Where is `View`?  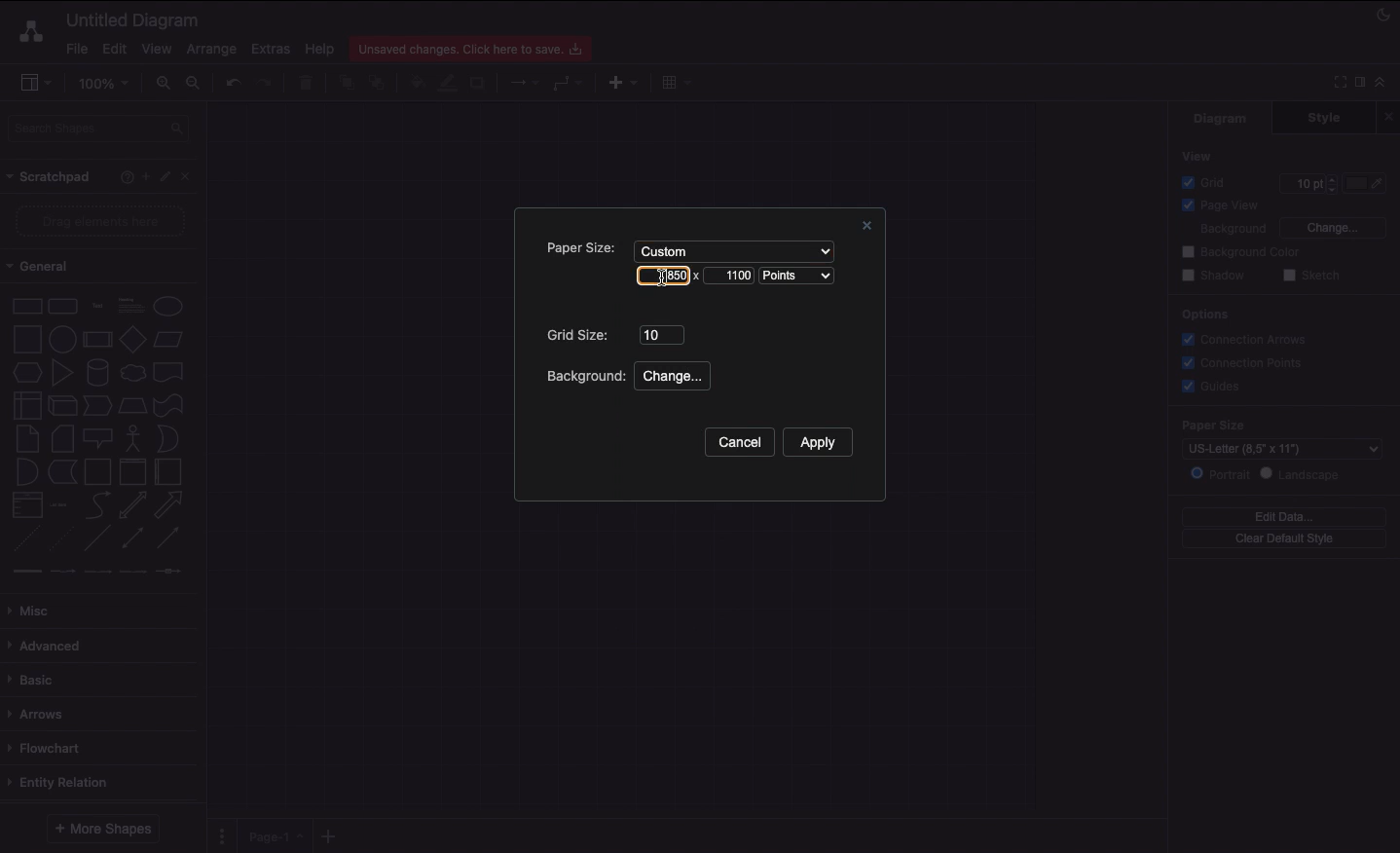 View is located at coordinates (1198, 155).